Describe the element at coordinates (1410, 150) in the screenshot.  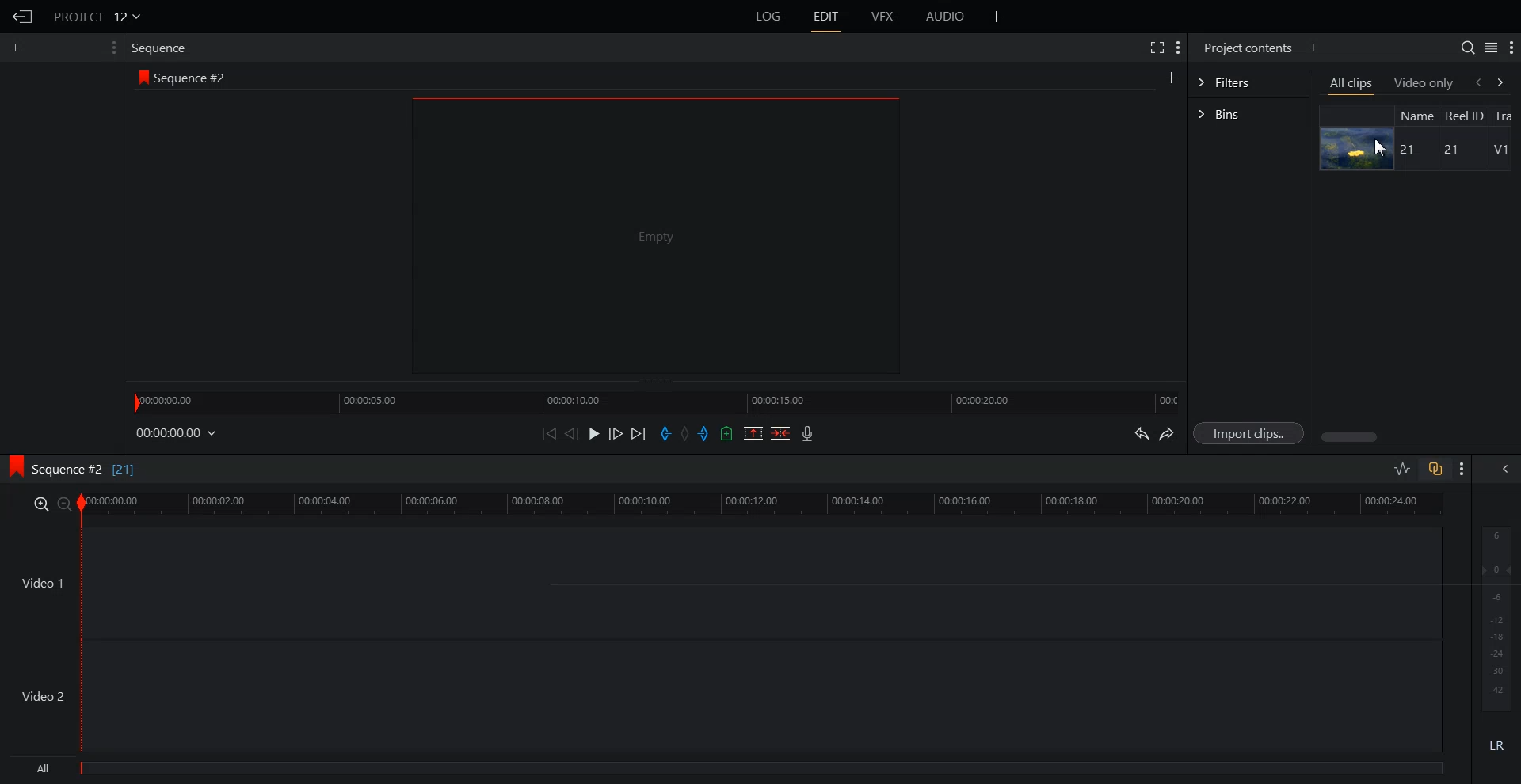
I see `21` at that location.